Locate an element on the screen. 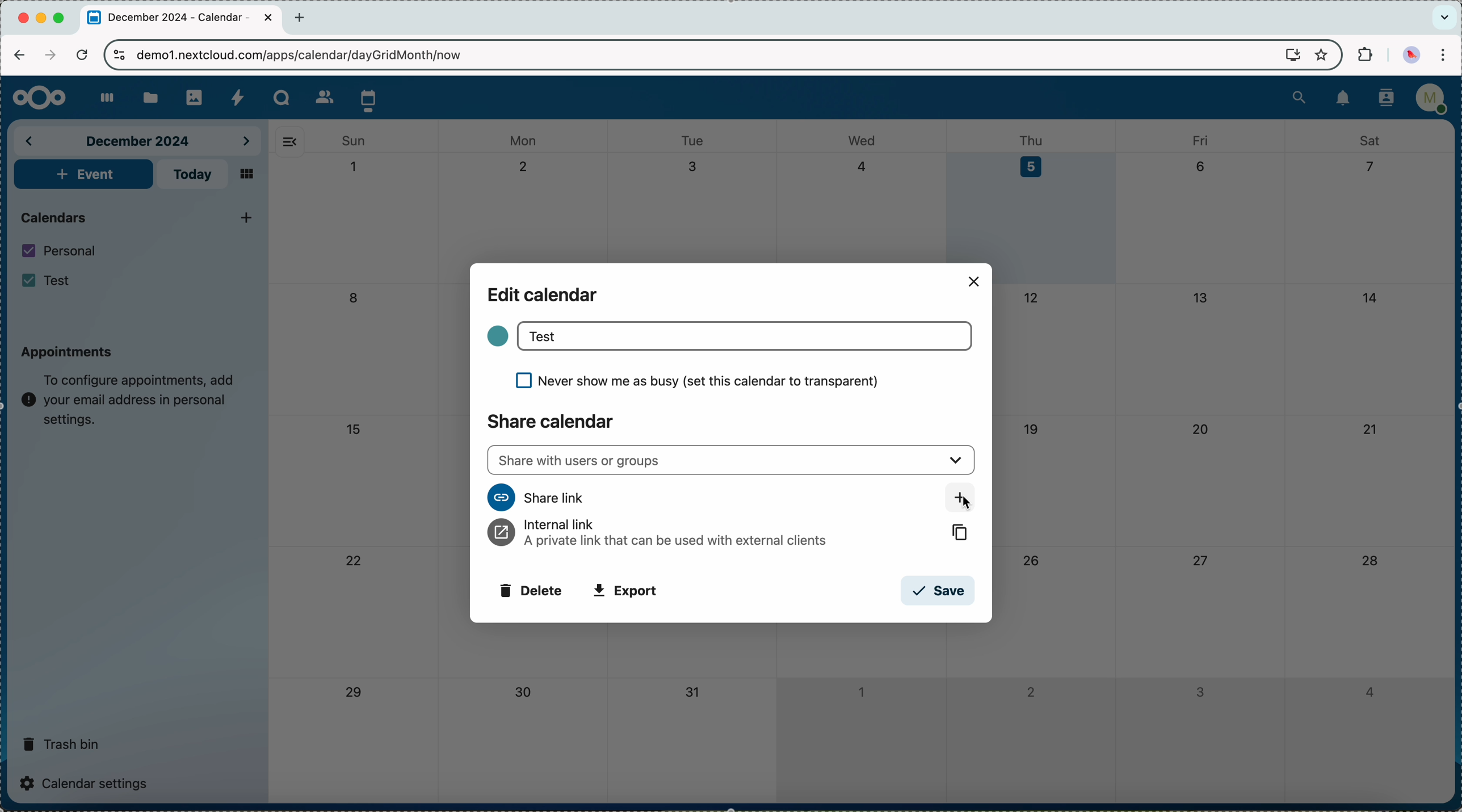  28 is located at coordinates (1369, 562).